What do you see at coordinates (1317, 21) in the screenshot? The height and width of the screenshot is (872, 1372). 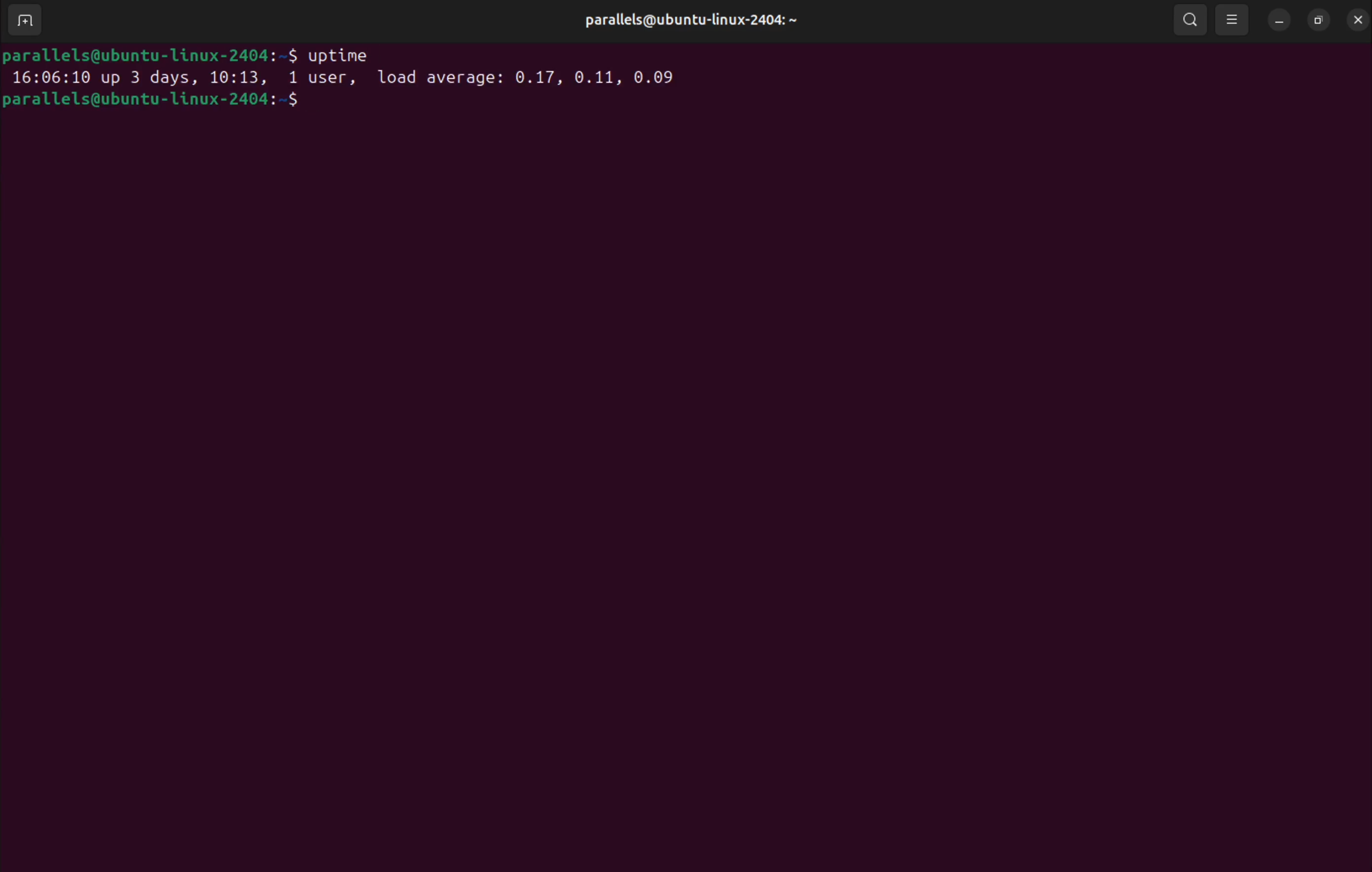 I see `resize` at bounding box center [1317, 21].